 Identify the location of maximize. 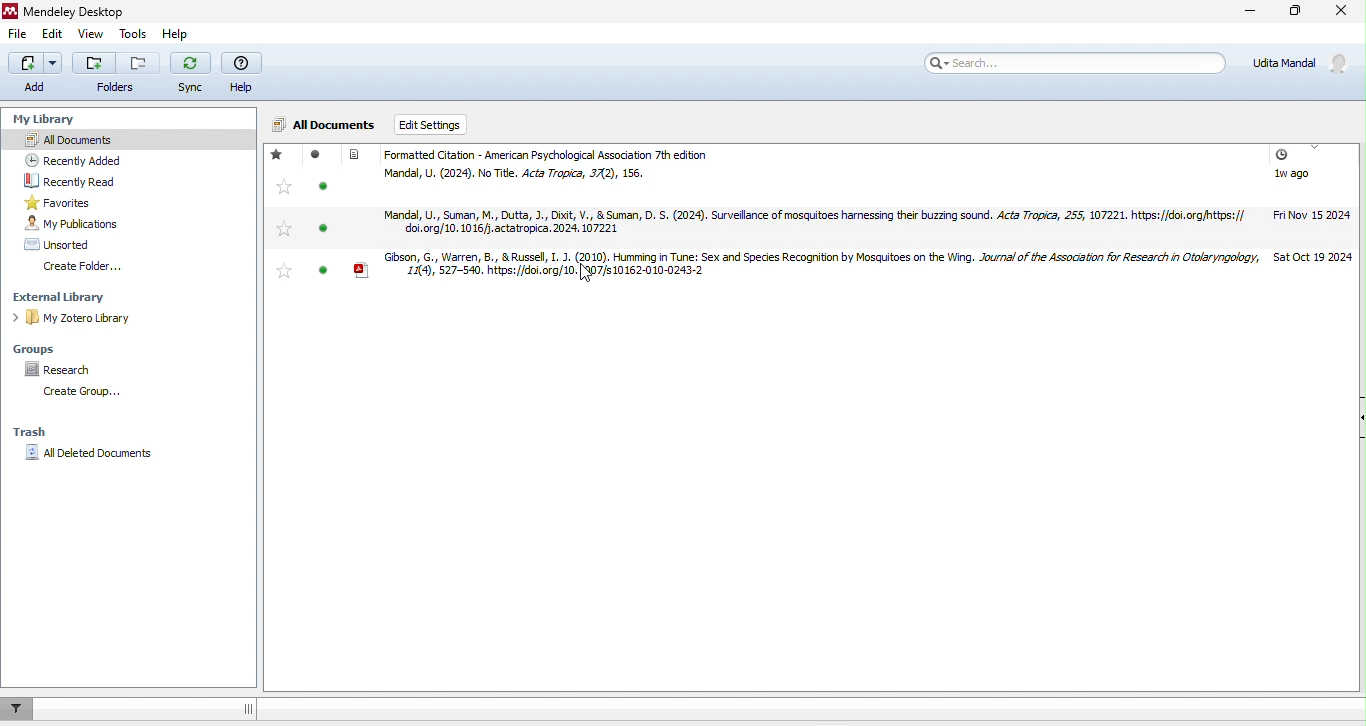
(1297, 10).